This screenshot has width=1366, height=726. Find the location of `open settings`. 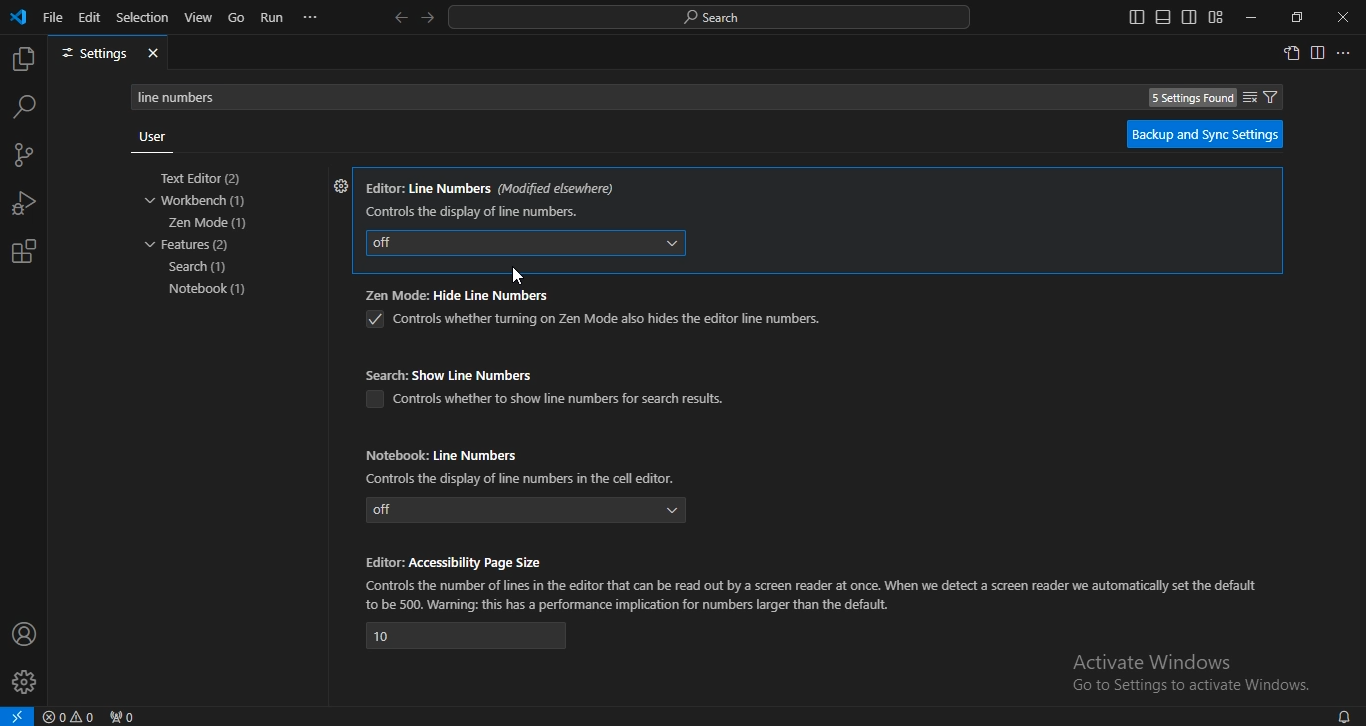

open settings is located at coordinates (1291, 52).